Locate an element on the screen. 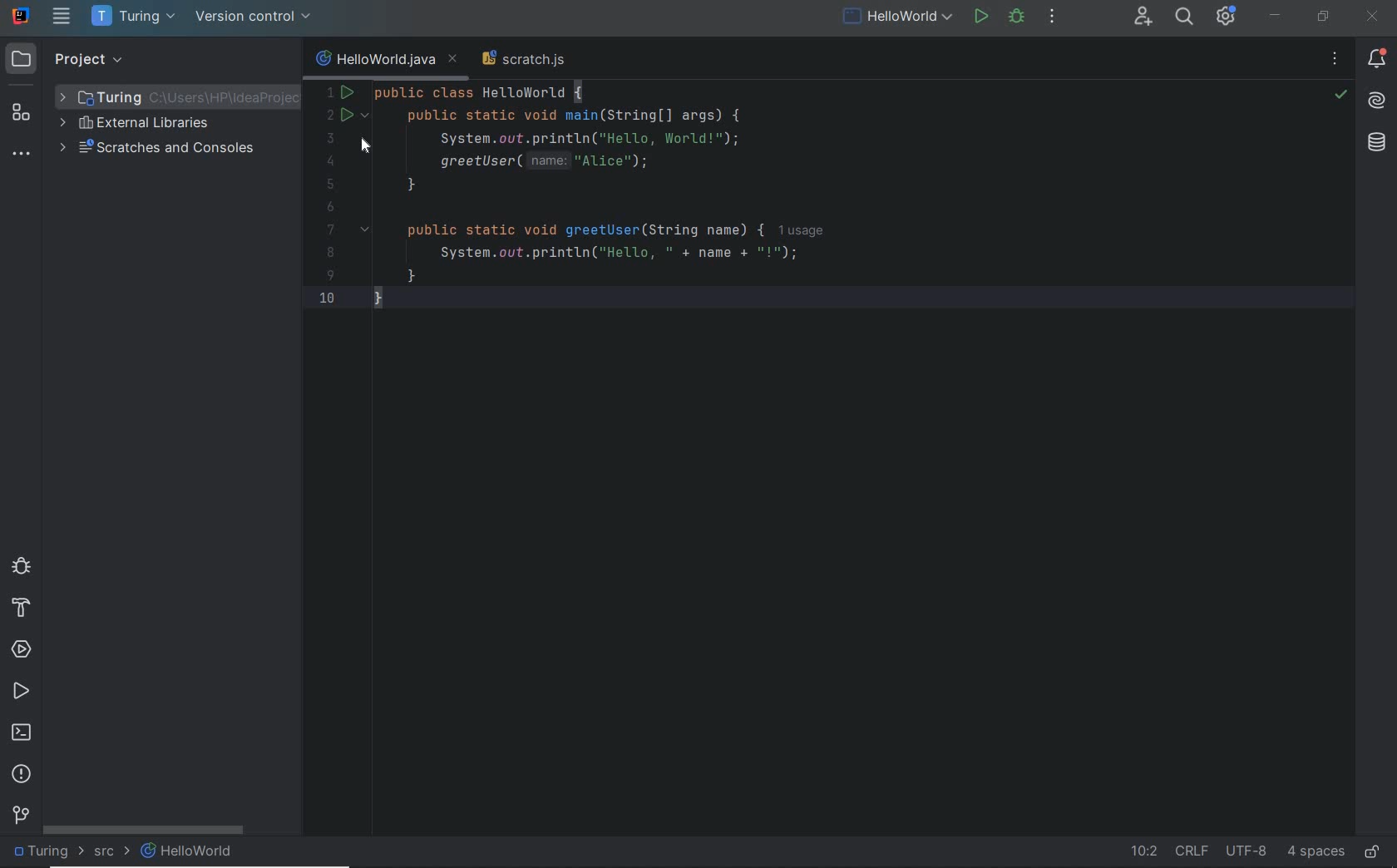 This screenshot has height=868, width=1397. notifications is located at coordinates (1378, 58).